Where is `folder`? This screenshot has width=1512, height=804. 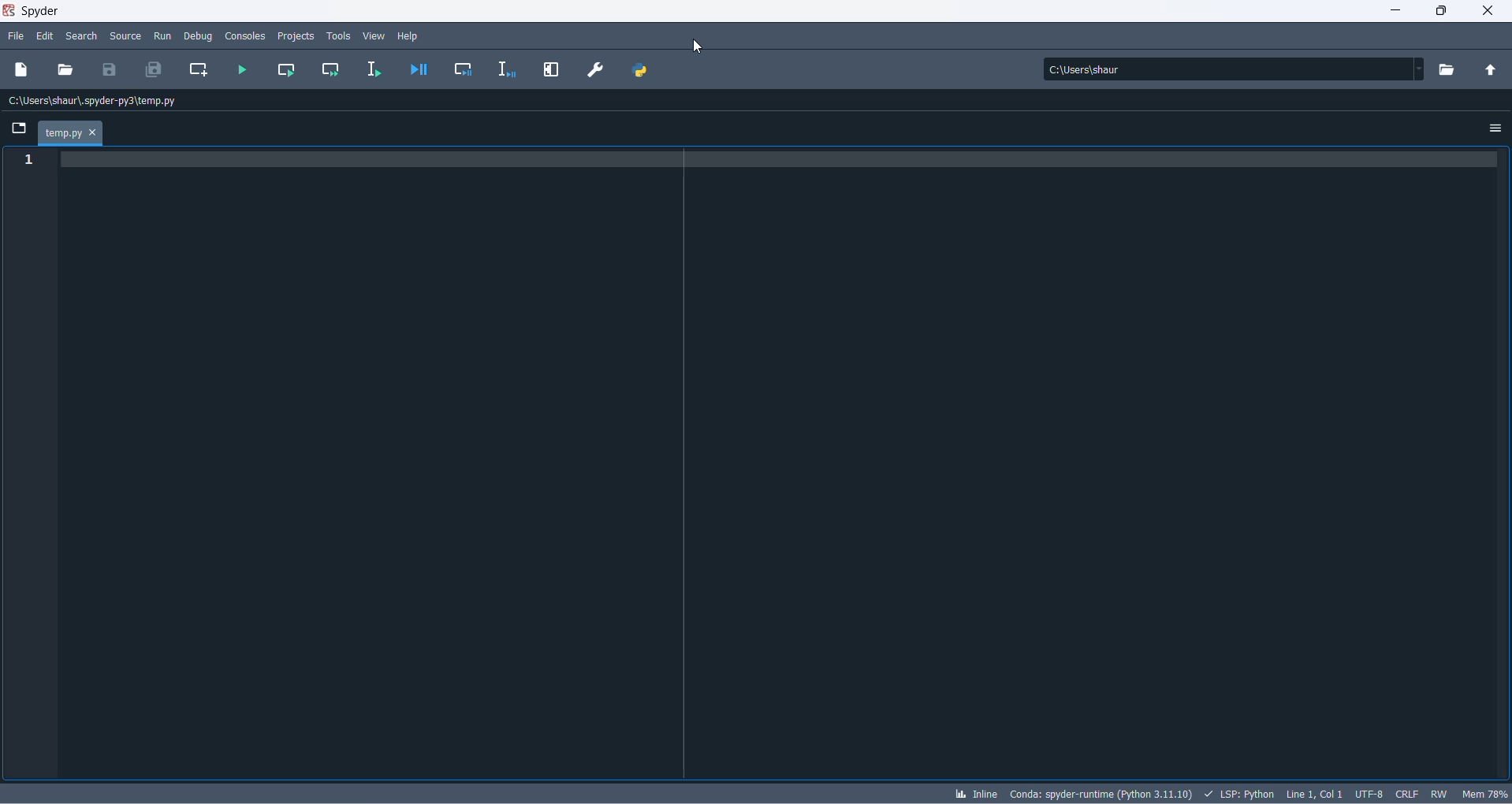 folder is located at coordinates (17, 130).